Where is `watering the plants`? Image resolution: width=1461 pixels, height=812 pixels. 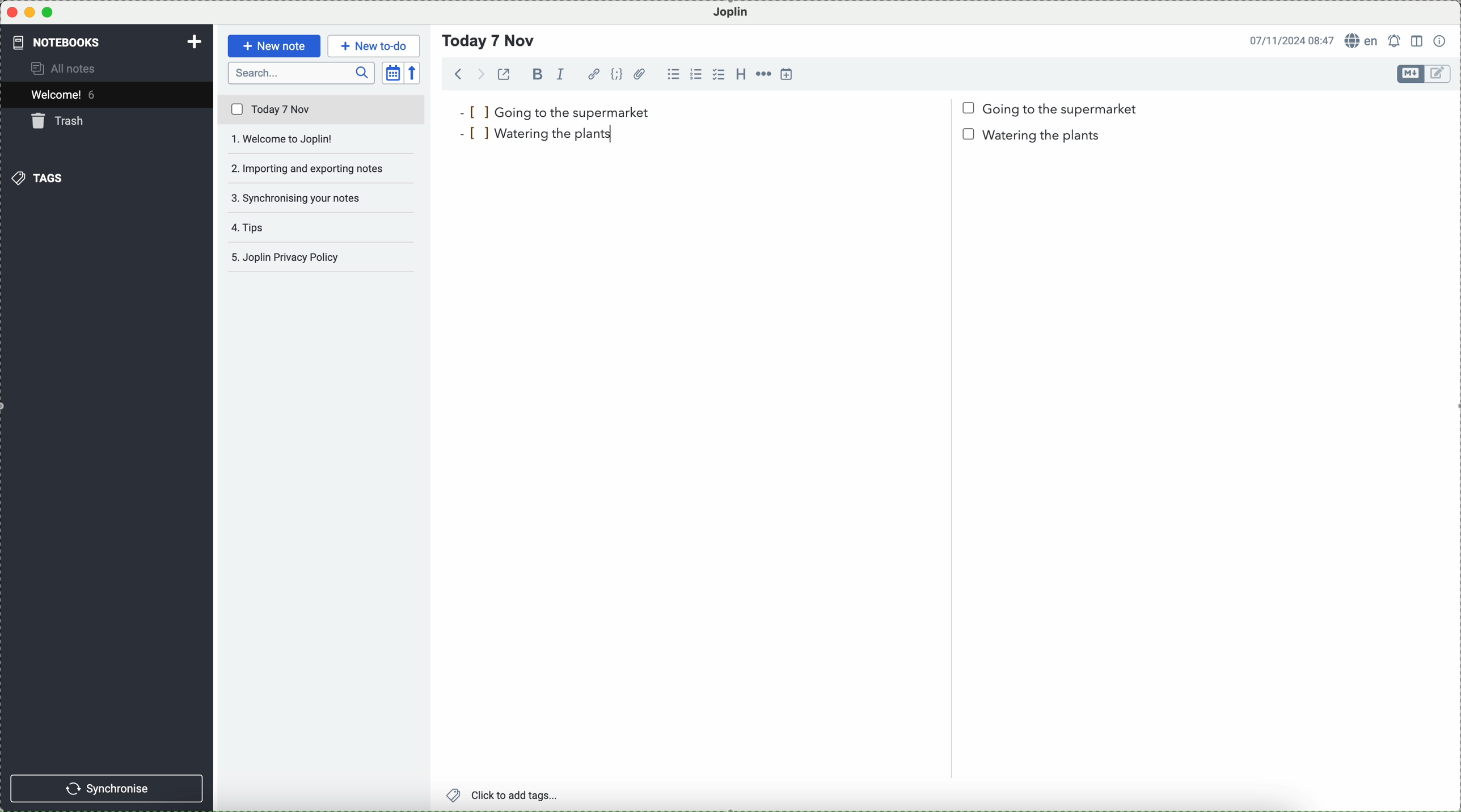 watering the plants is located at coordinates (543, 133).